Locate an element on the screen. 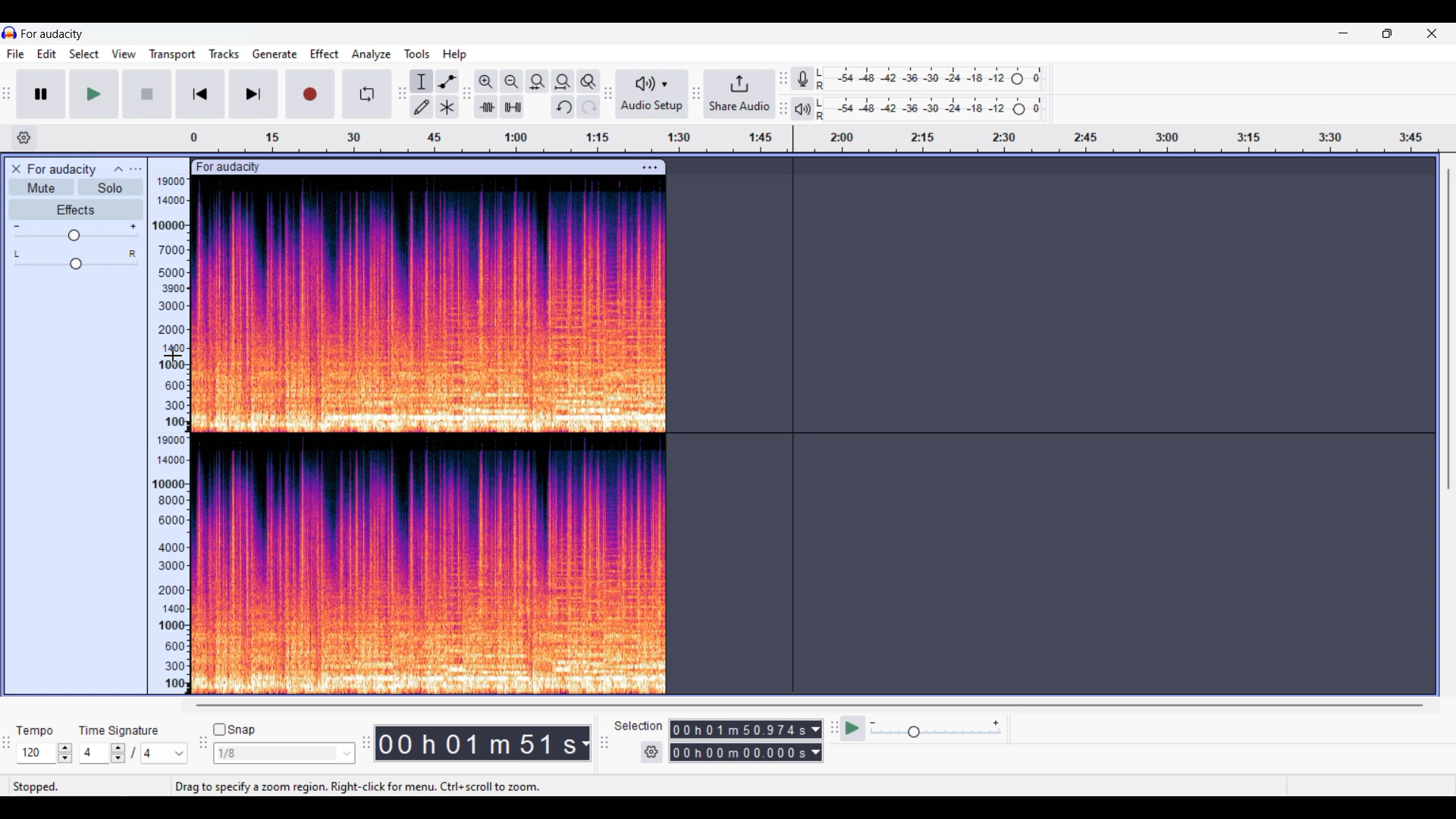  amplitude is located at coordinates (167, 435).